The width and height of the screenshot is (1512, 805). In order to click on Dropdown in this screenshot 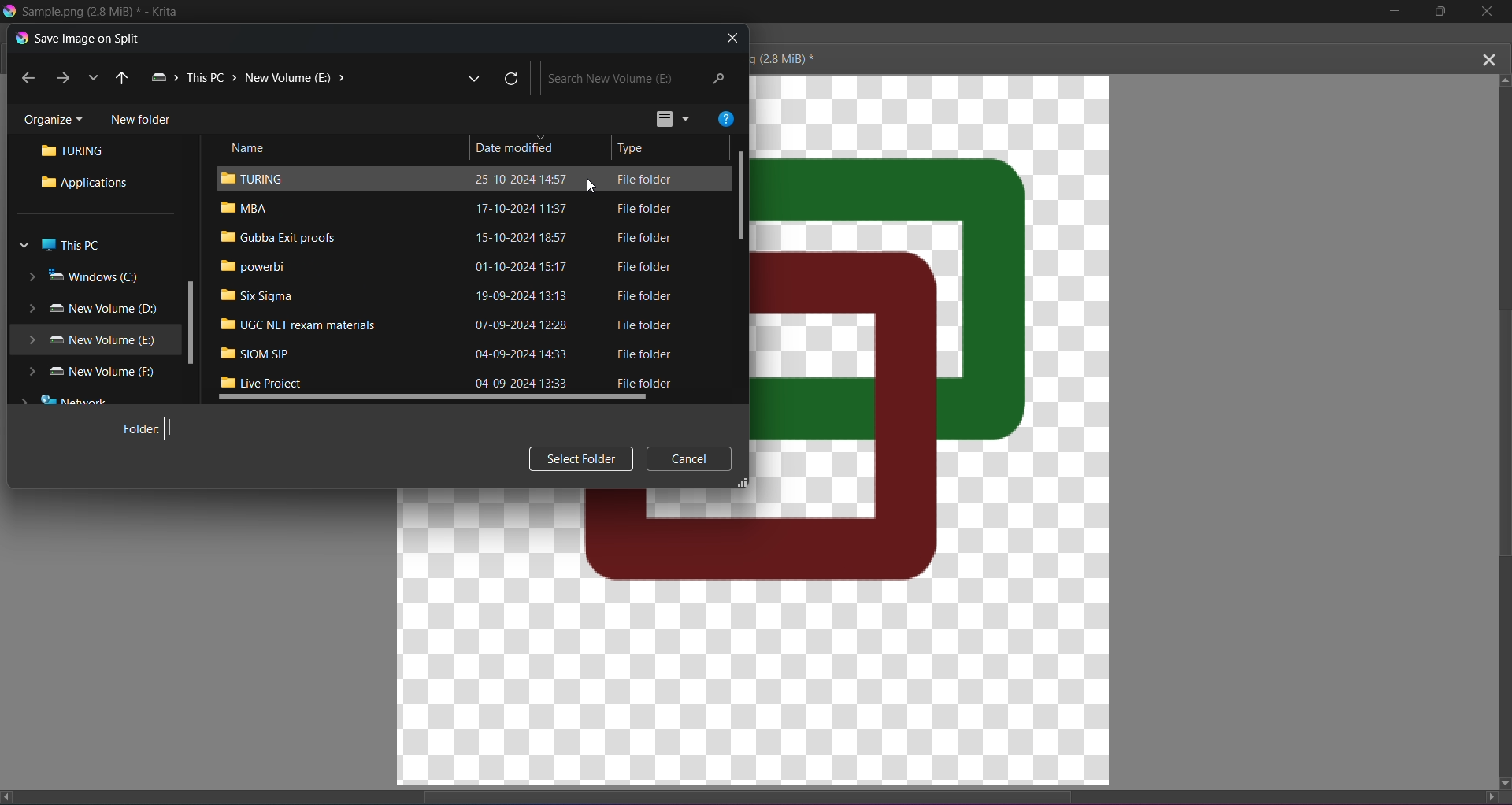, I will do `click(473, 78)`.